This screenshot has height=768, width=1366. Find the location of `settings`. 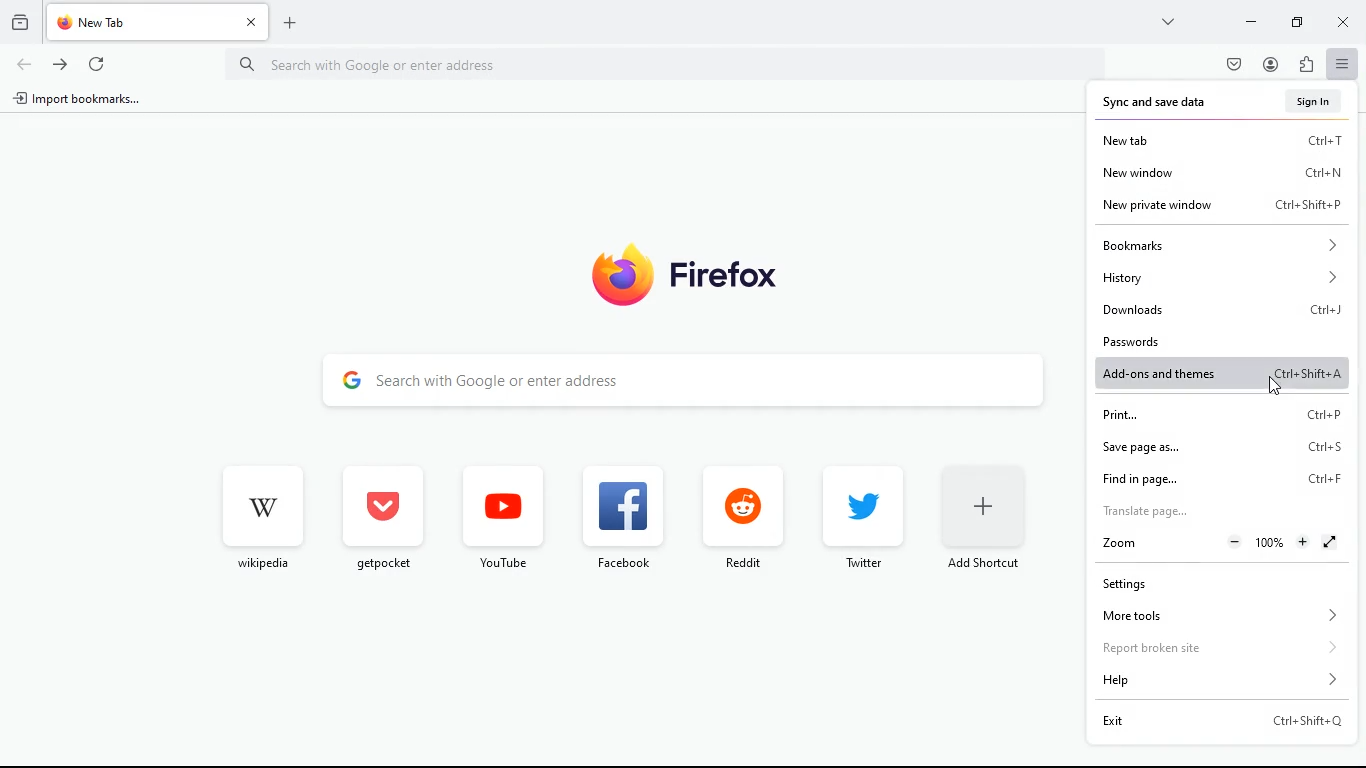

settings is located at coordinates (1214, 583).